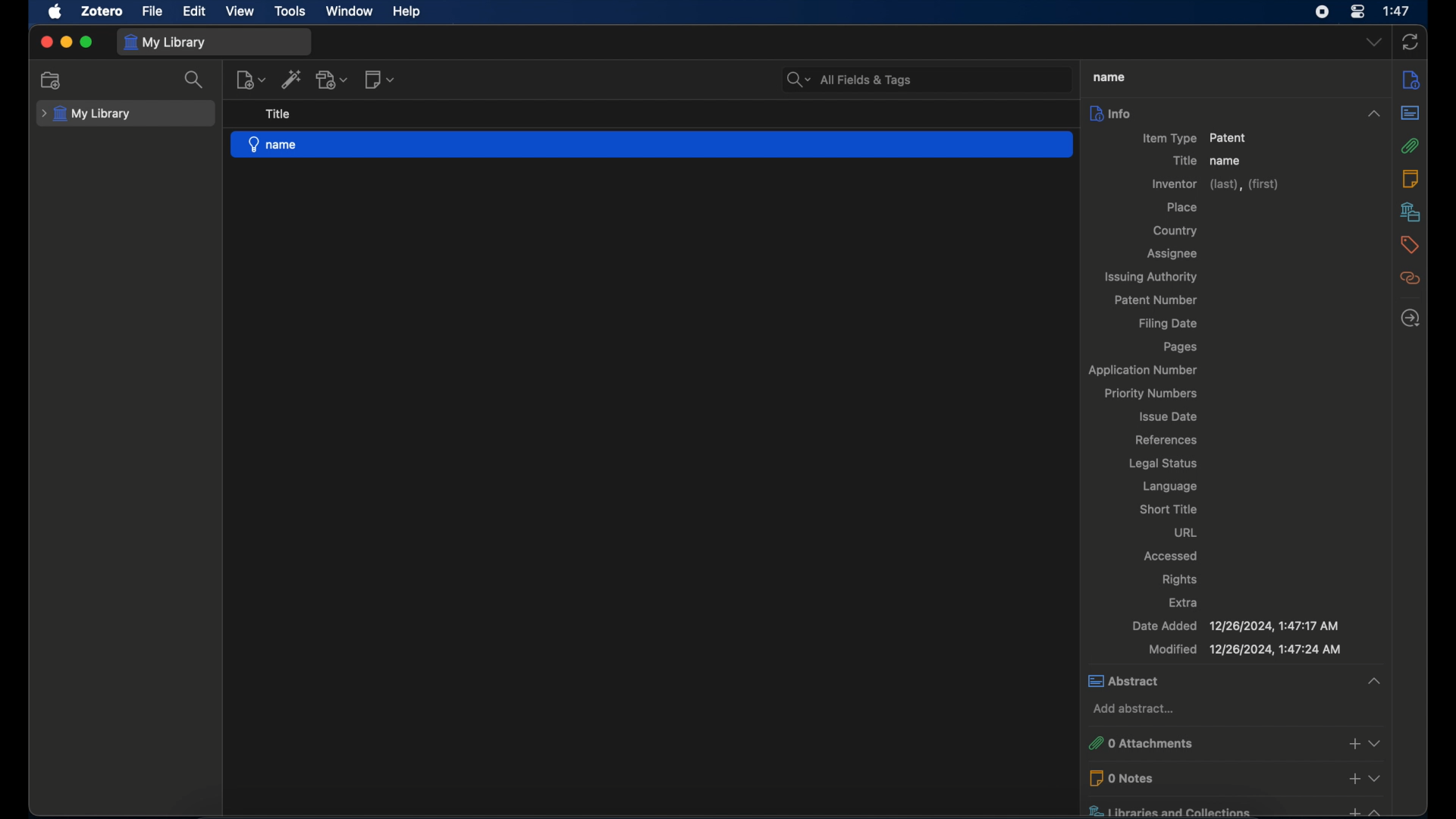 The width and height of the screenshot is (1456, 819). Describe the element at coordinates (1136, 709) in the screenshot. I see `add abstract` at that location.